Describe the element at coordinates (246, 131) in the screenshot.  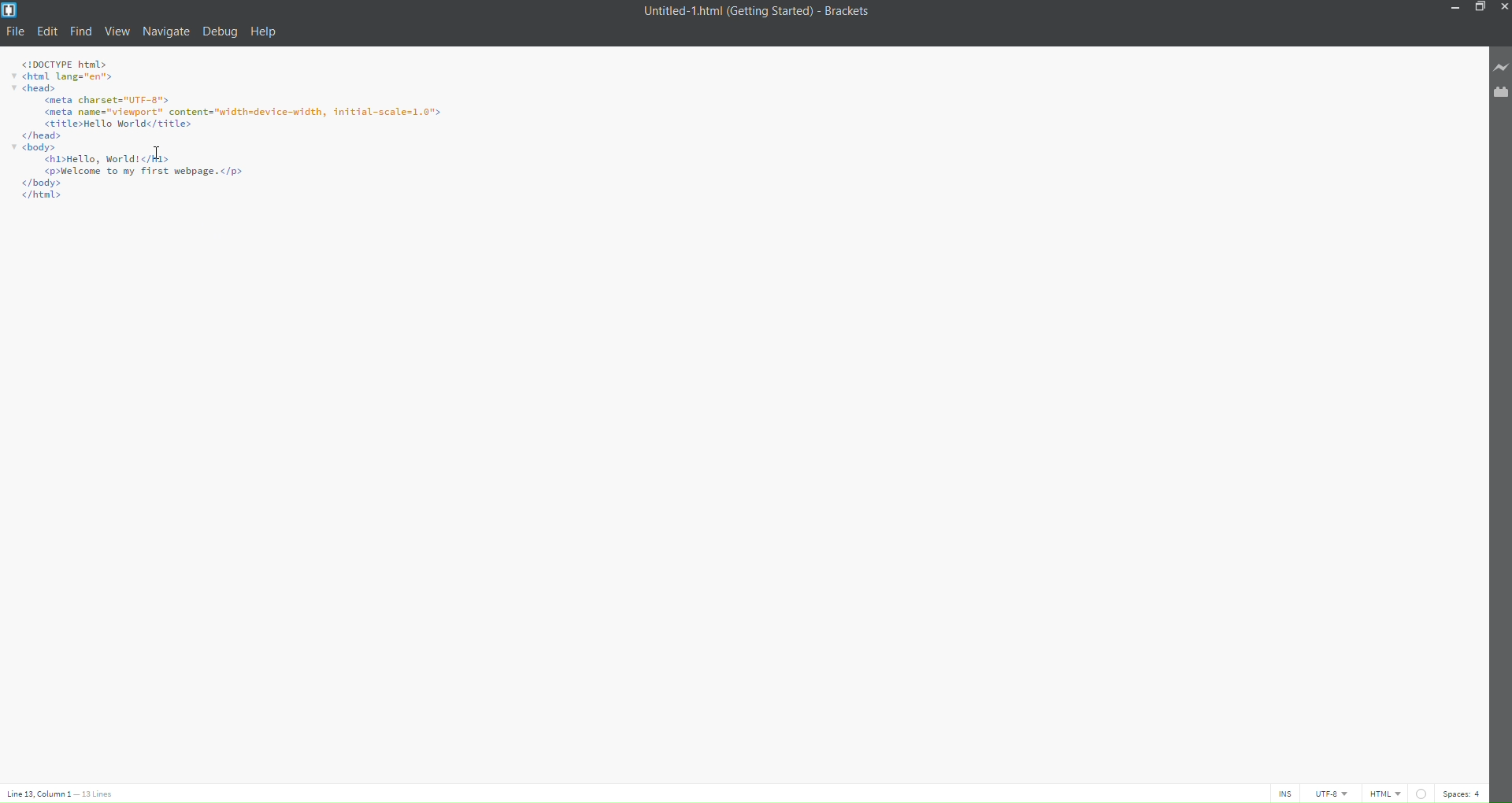
I see `code` at that location.